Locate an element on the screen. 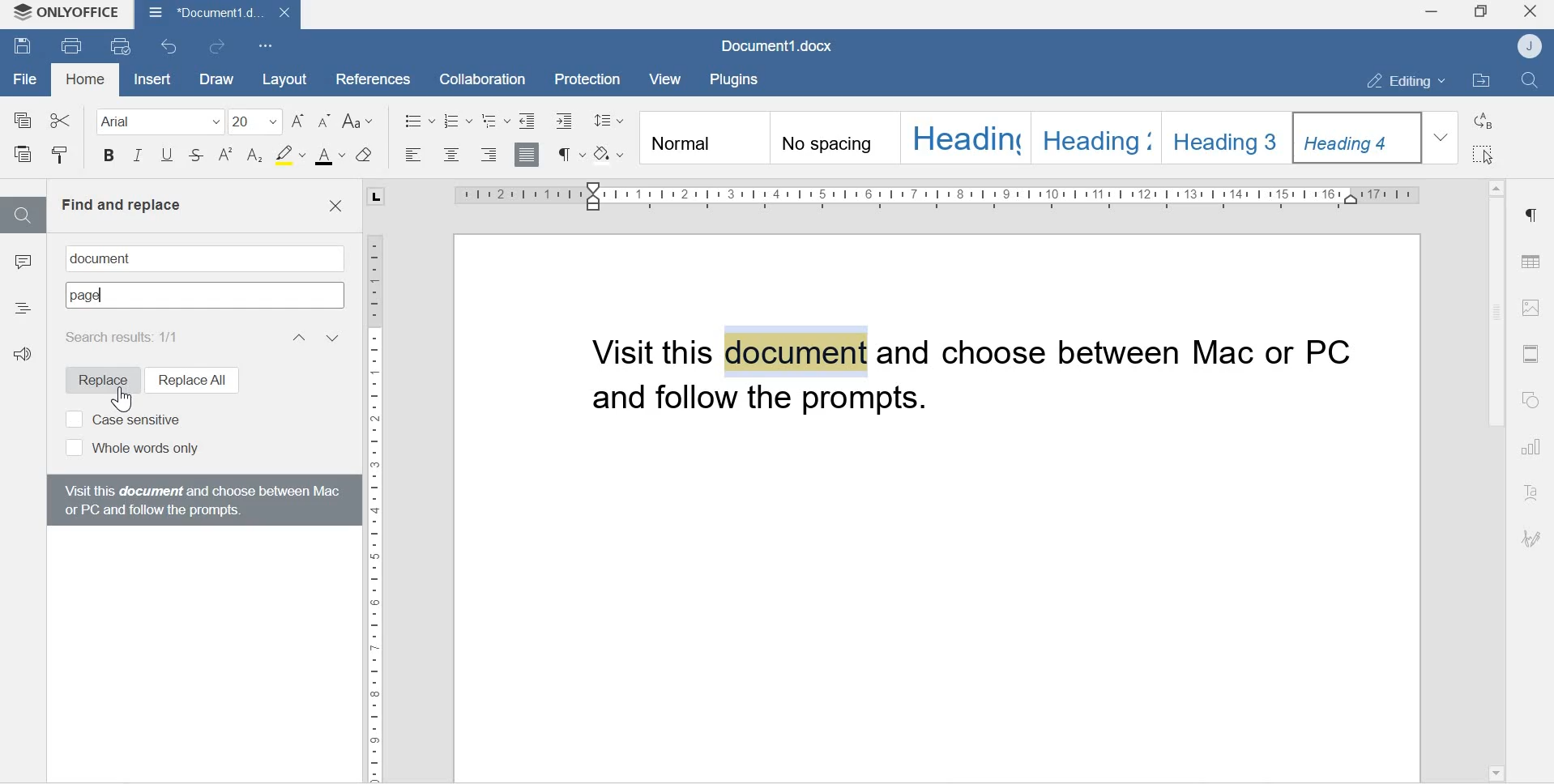 Image resolution: width=1554 pixels, height=784 pixels. Itallics is located at coordinates (138, 157).